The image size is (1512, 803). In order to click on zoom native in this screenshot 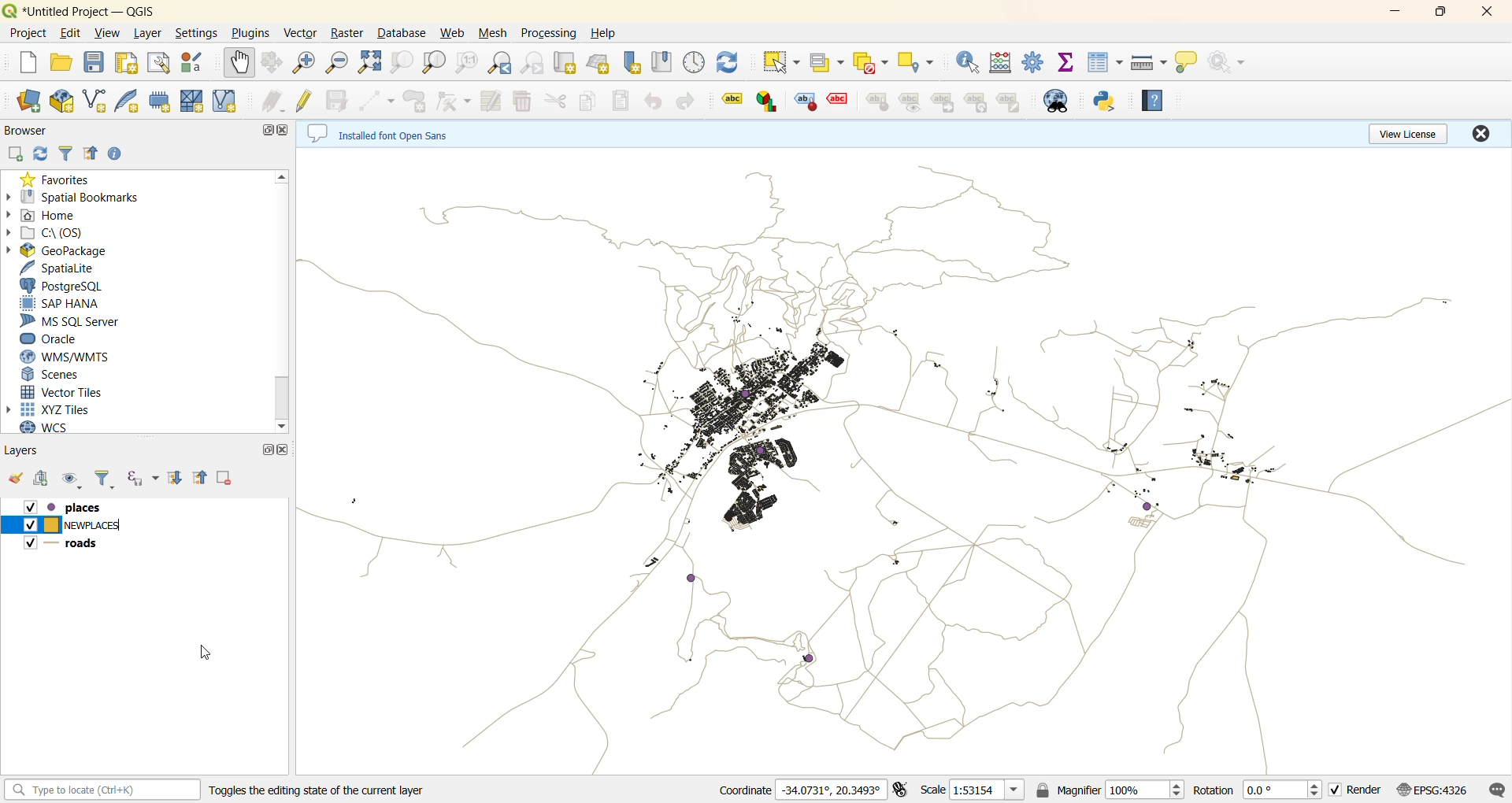, I will do `click(466, 64)`.